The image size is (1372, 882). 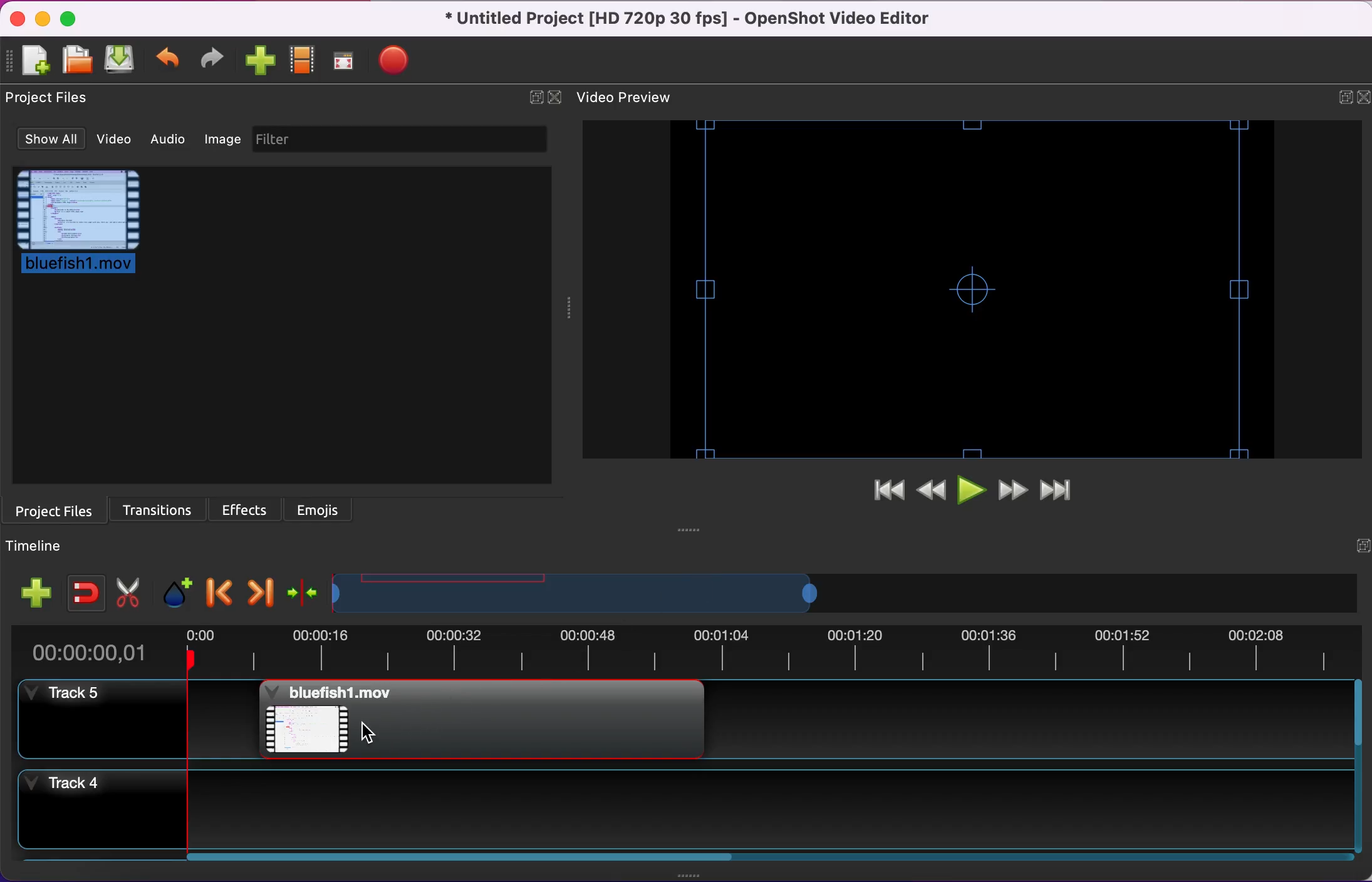 What do you see at coordinates (689, 19) in the screenshot?
I see `title` at bounding box center [689, 19].